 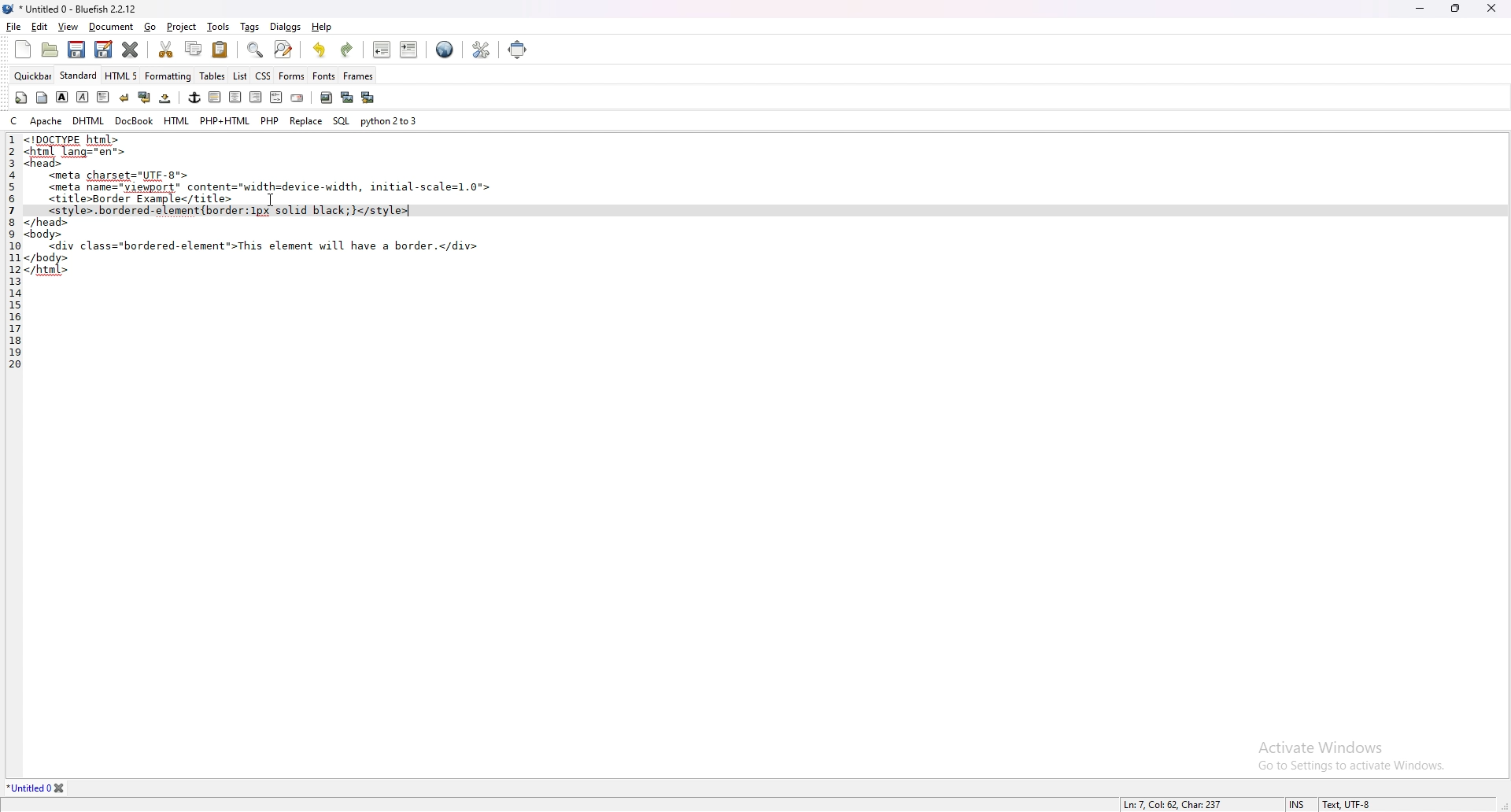 I want to click on INS, so click(x=1299, y=804).